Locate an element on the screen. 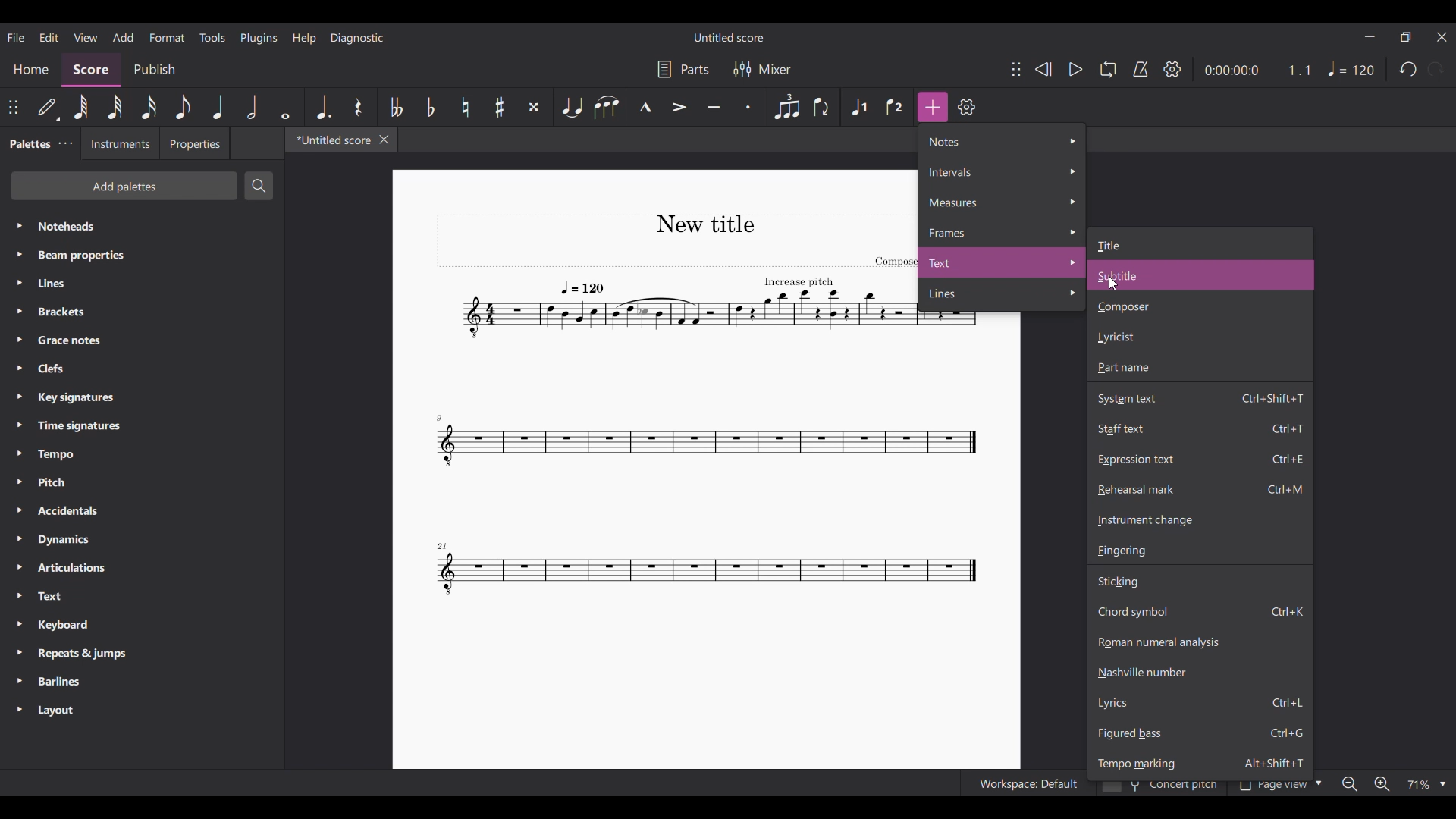 This screenshot has width=1456, height=819. Whole note is located at coordinates (285, 107).